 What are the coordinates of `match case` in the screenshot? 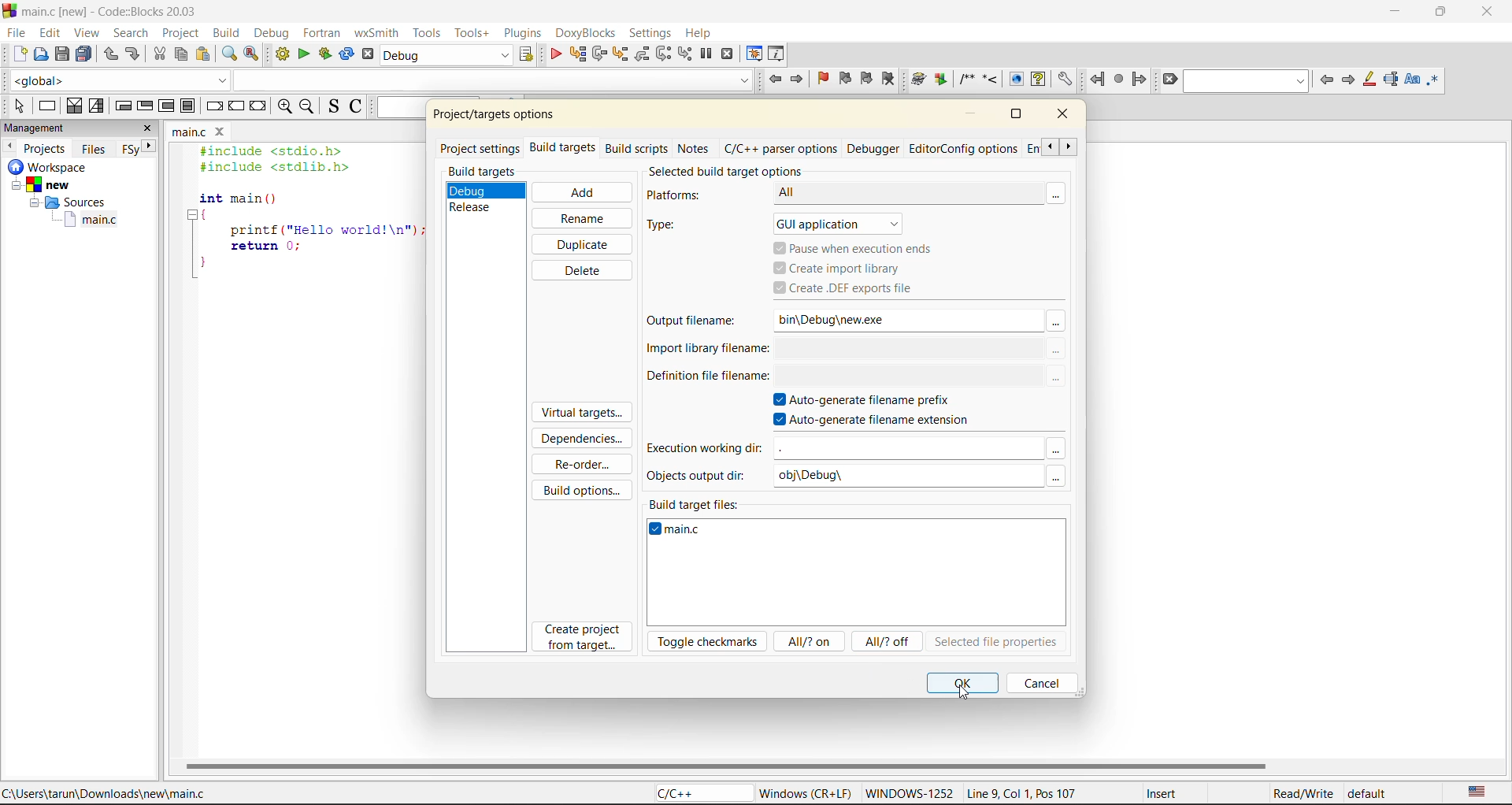 It's located at (1412, 81).